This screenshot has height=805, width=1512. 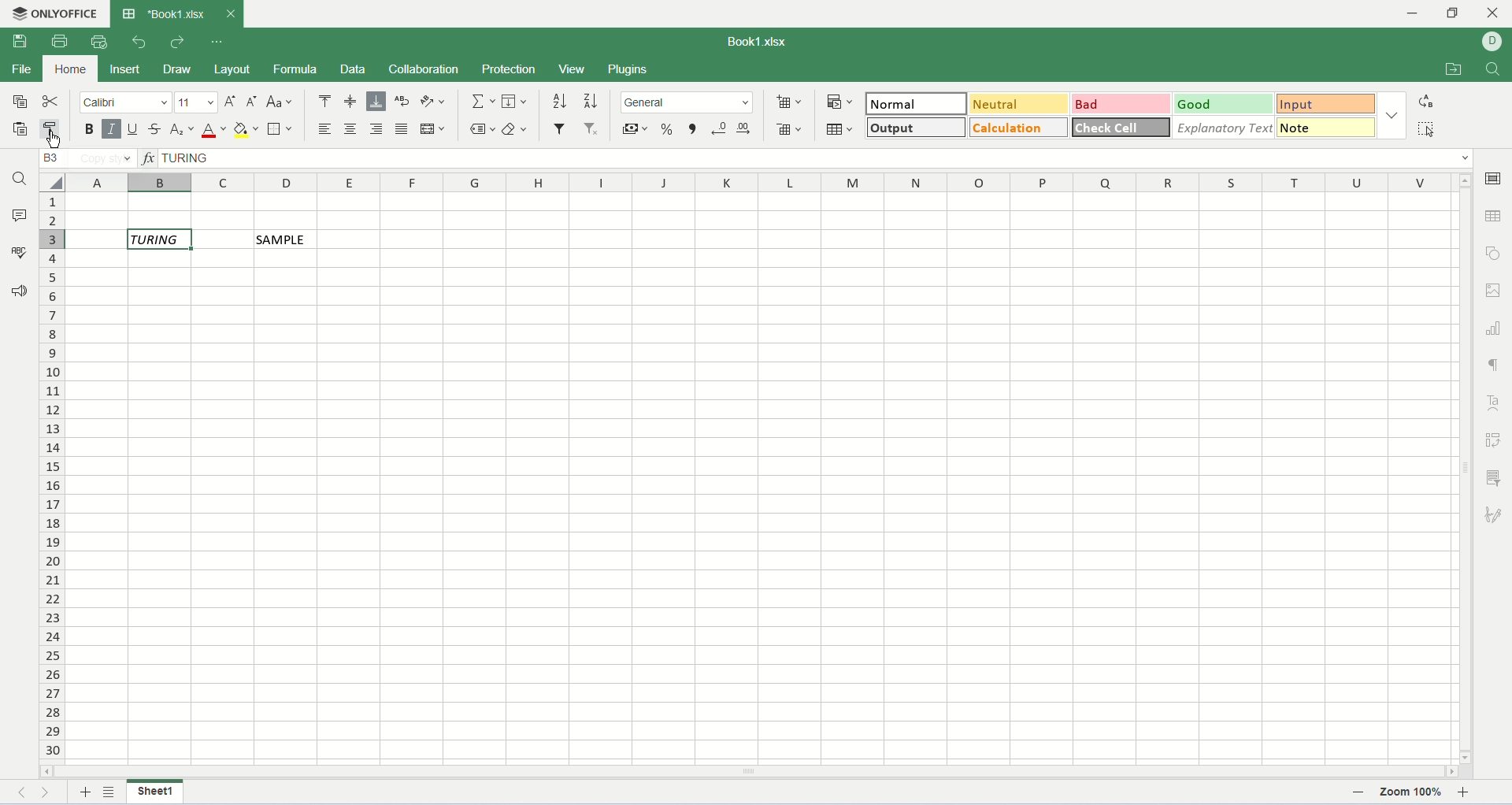 What do you see at coordinates (694, 130) in the screenshot?
I see `comma style` at bounding box center [694, 130].